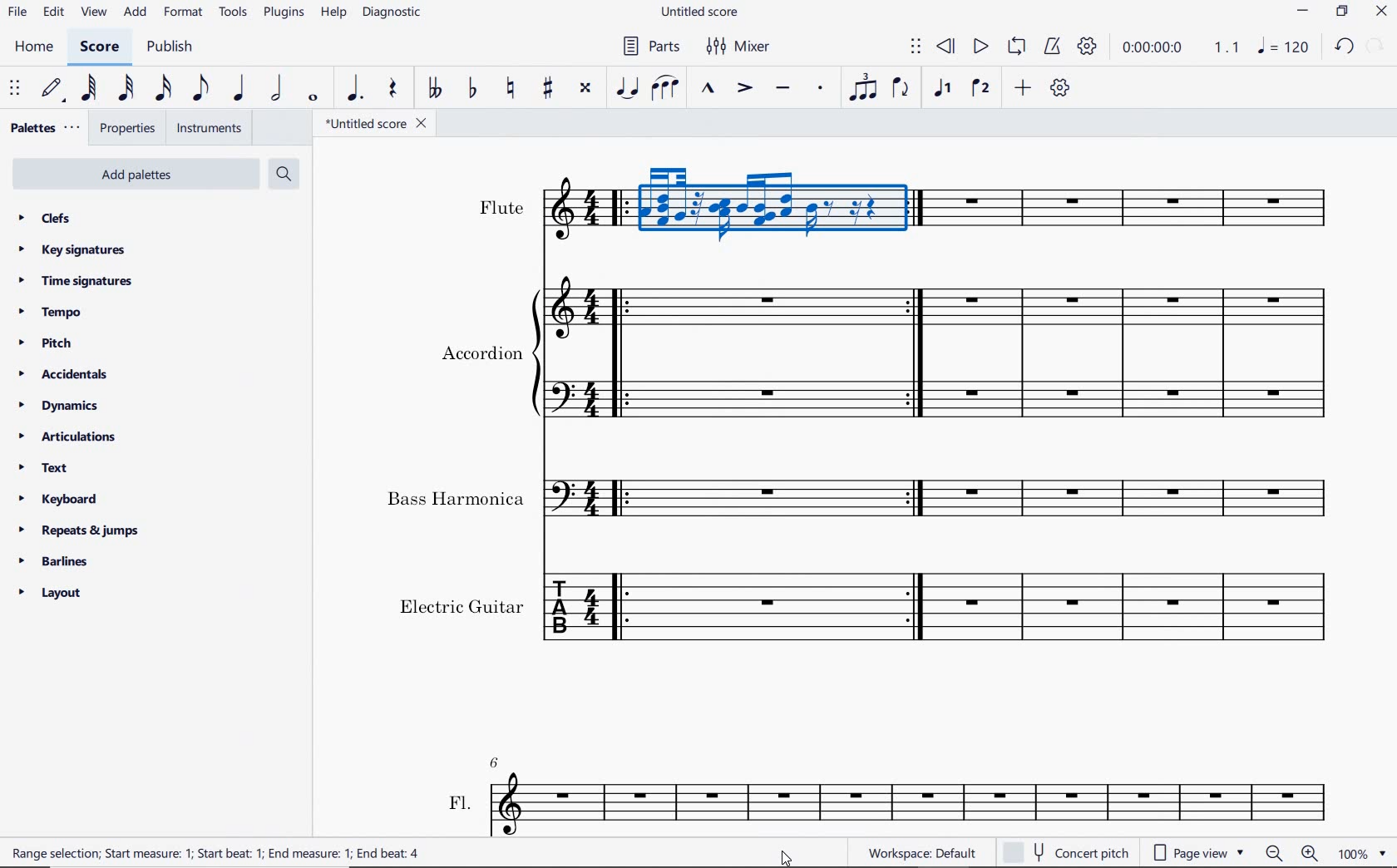 Image resolution: width=1397 pixels, height=868 pixels. Describe the element at coordinates (664, 90) in the screenshot. I see `slur` at that location.